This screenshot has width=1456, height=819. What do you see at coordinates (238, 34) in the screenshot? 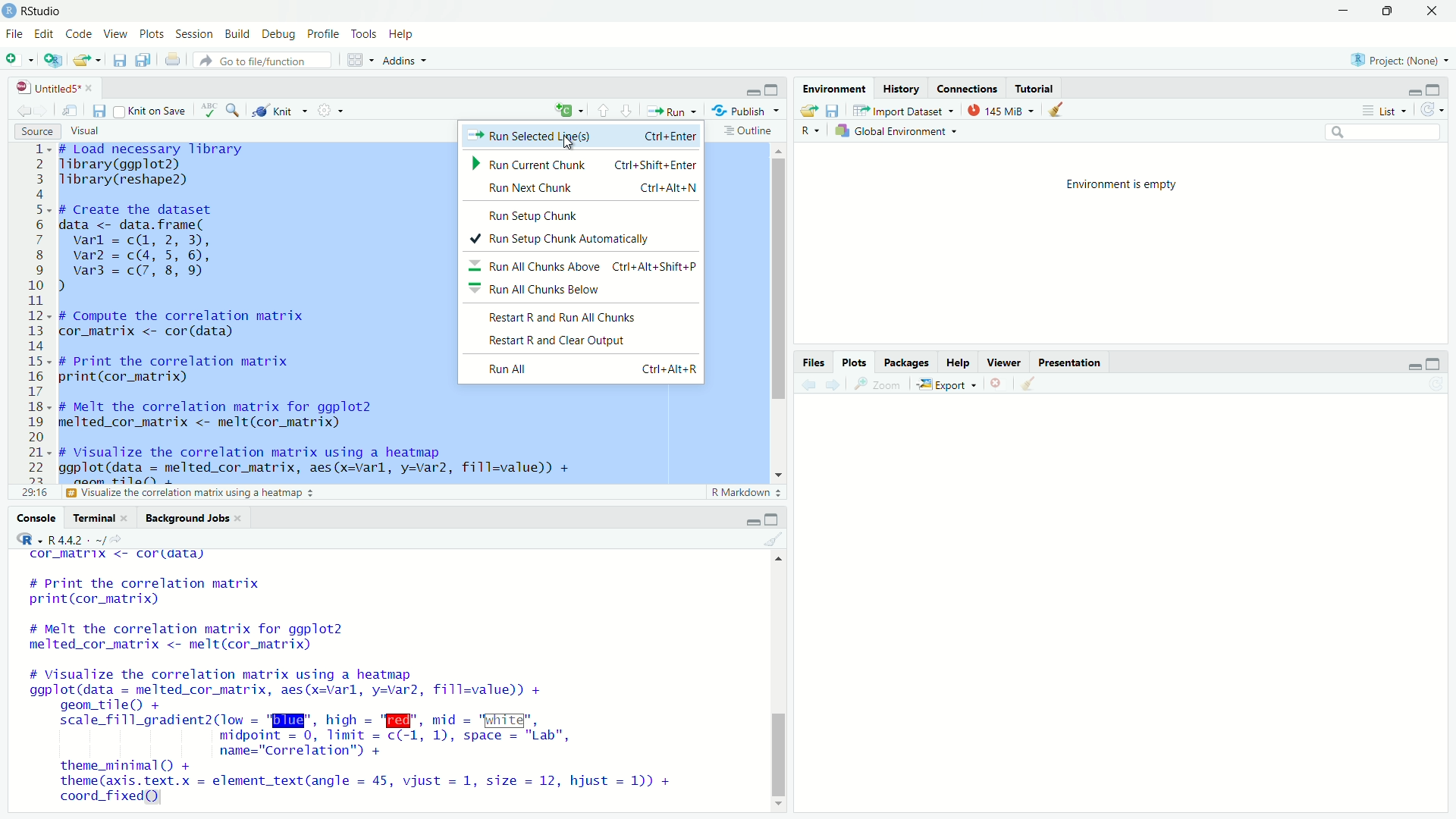
I see `build` at bounding box center [238, 34].